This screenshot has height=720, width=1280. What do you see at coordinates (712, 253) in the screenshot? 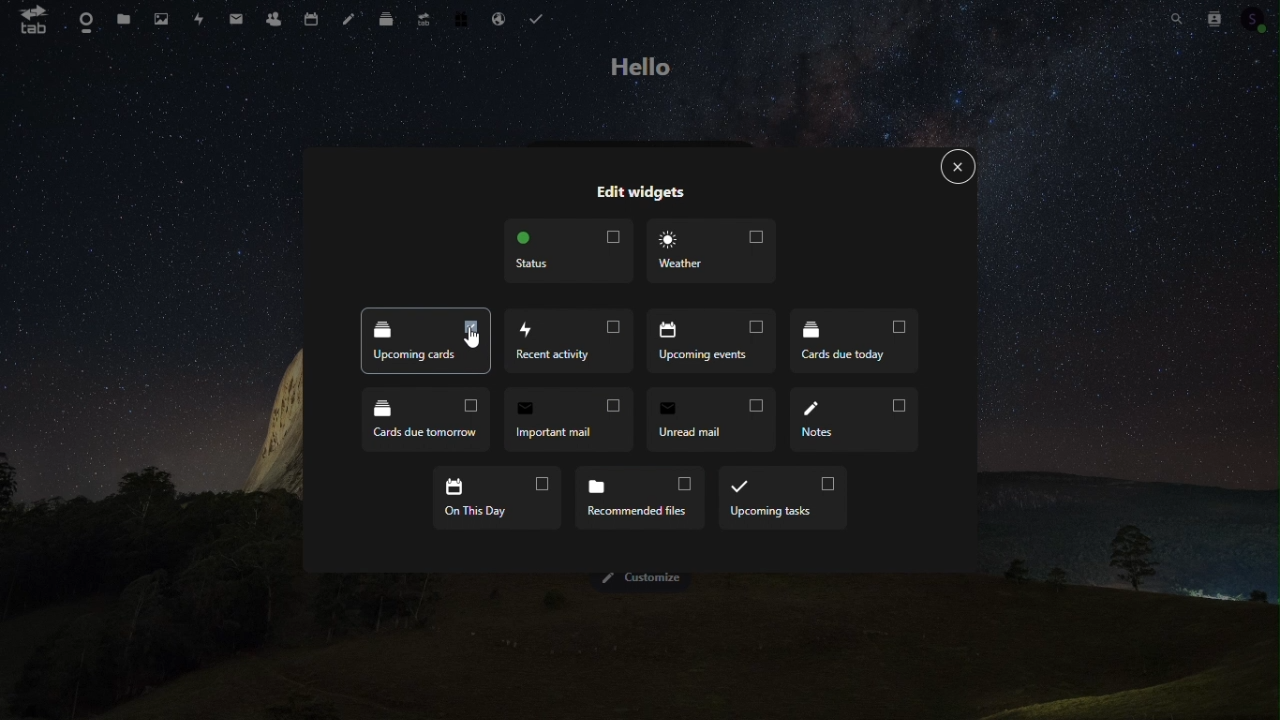
I see `Weather` at bounding box center [712, 253].